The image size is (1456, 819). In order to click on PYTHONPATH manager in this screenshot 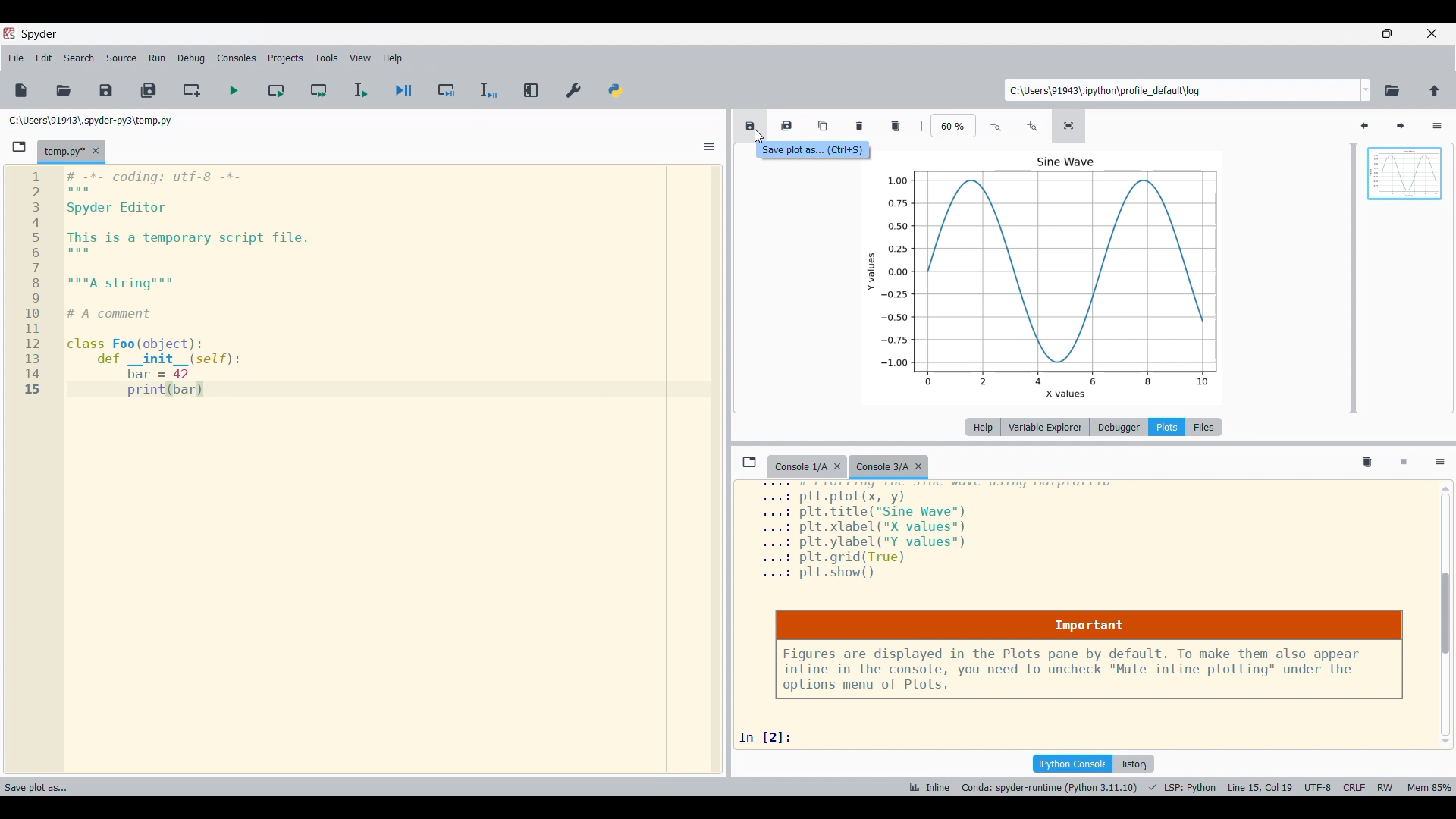, I will do `click(616, 90)`.